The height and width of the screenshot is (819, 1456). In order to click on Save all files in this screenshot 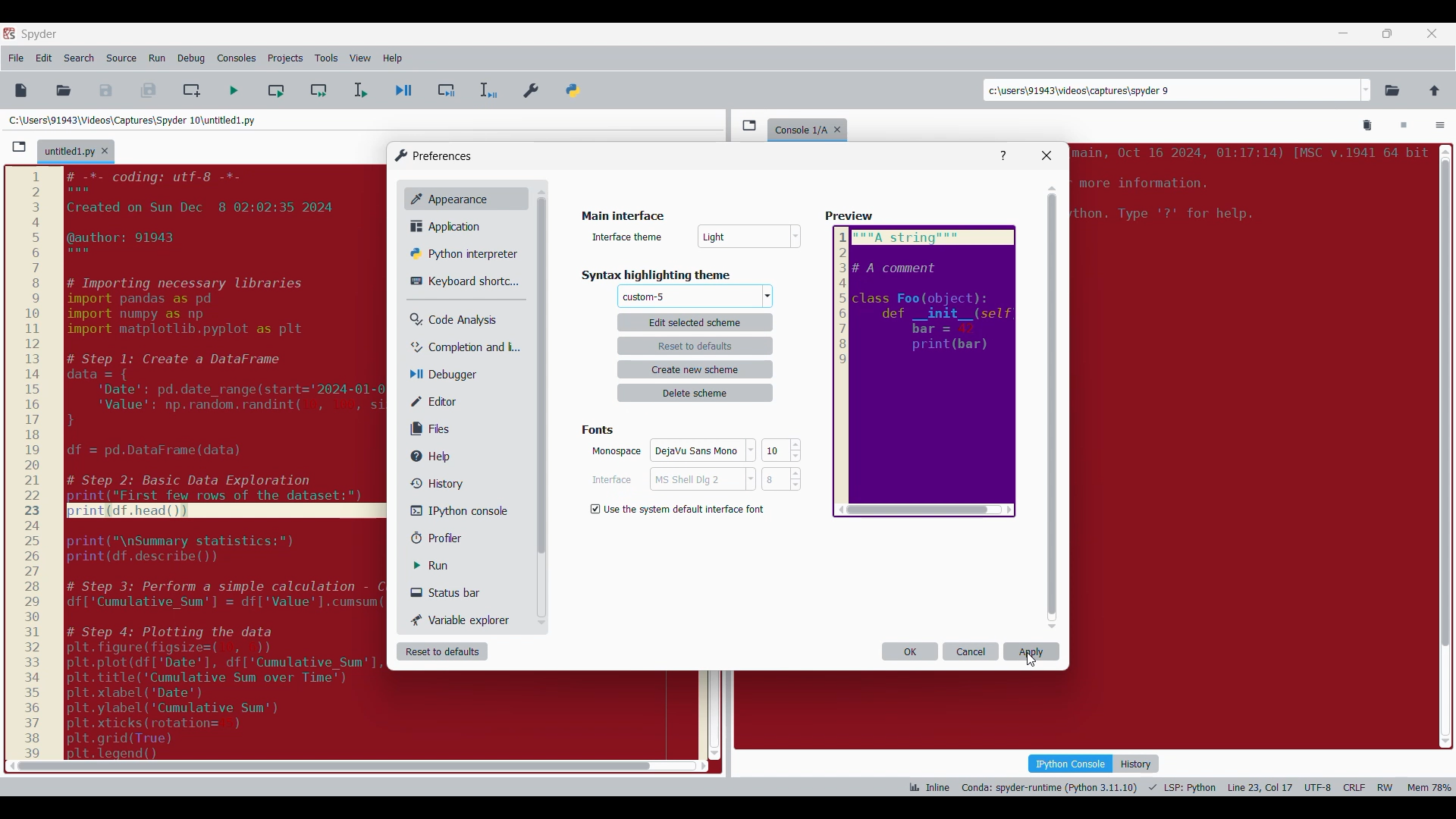, I will do `click(148, 90)`.